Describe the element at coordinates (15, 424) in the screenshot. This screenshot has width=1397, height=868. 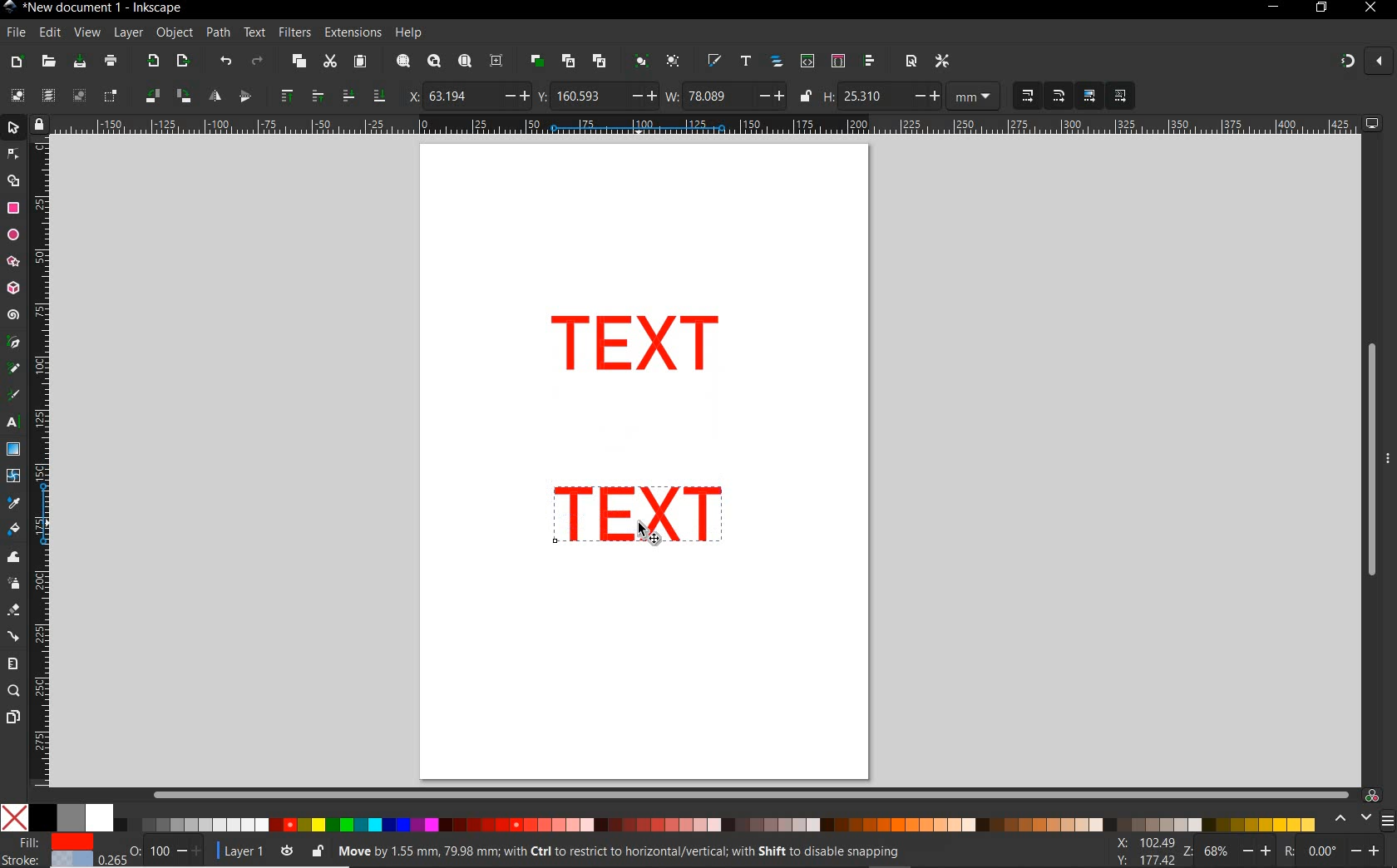
I see `text tool` at that location.